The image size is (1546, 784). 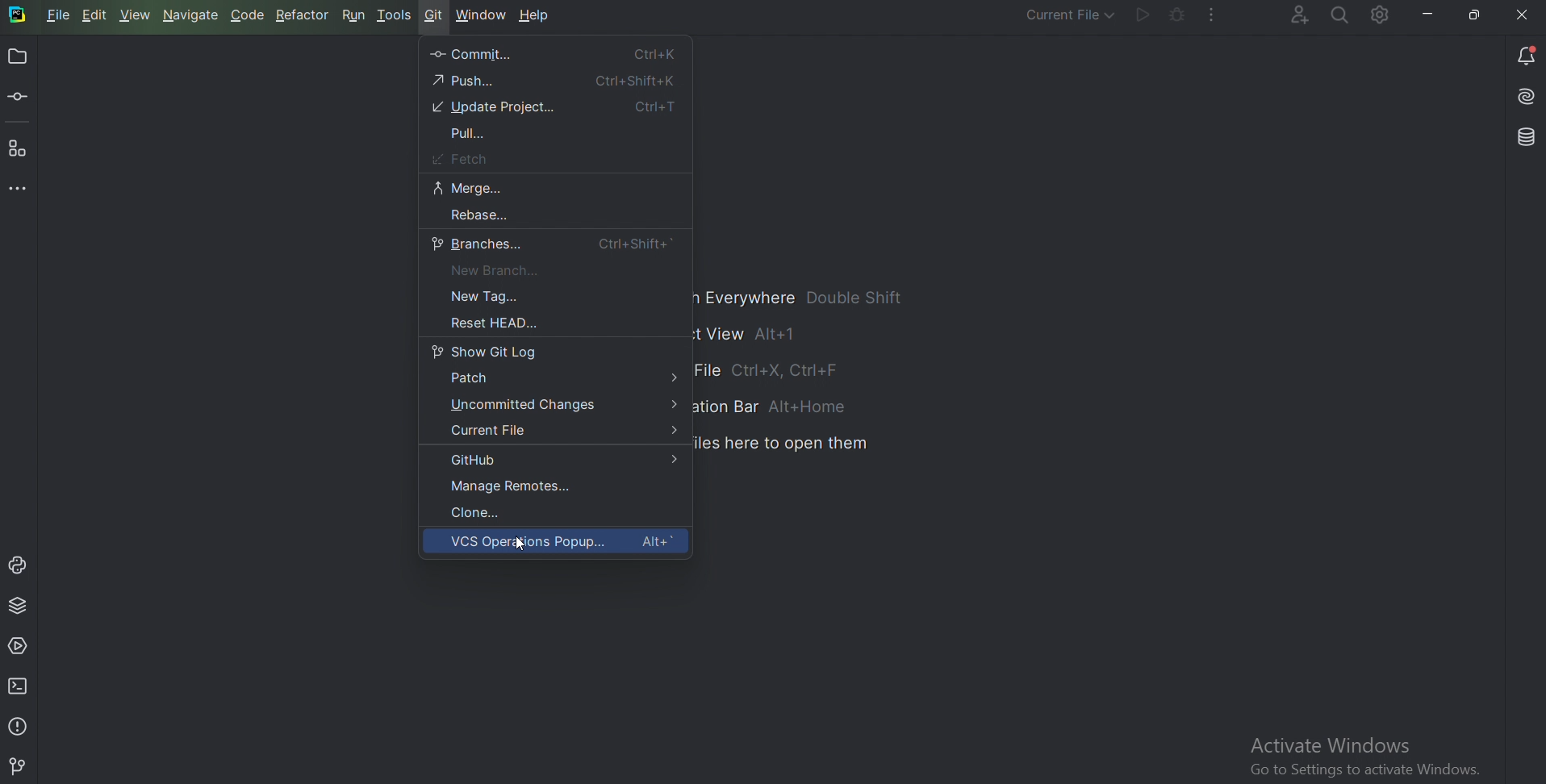 I want to click on Restore down, so click(x=1476, y=12).